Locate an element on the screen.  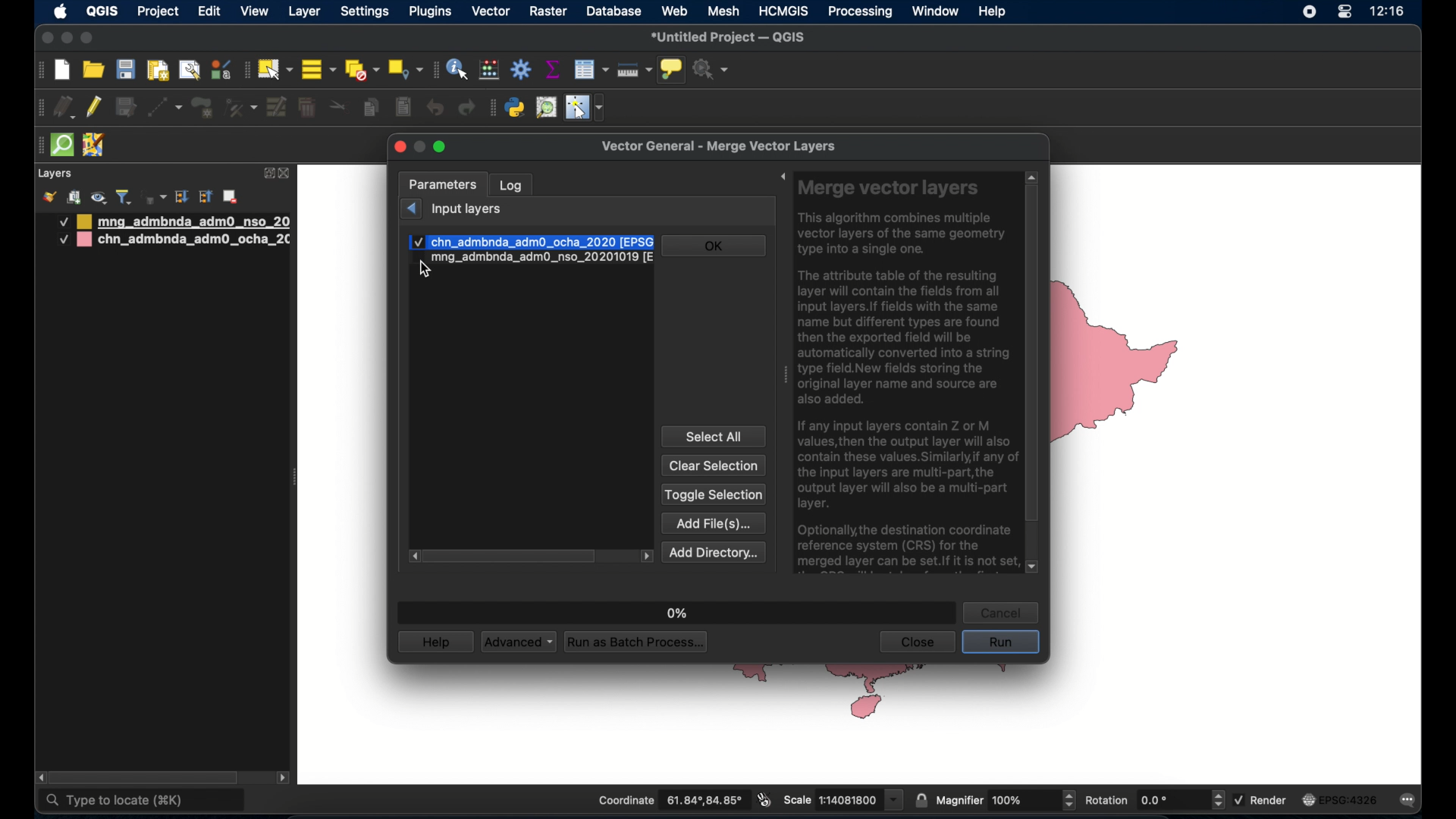
show map tips is located at coordinates (670, 69).